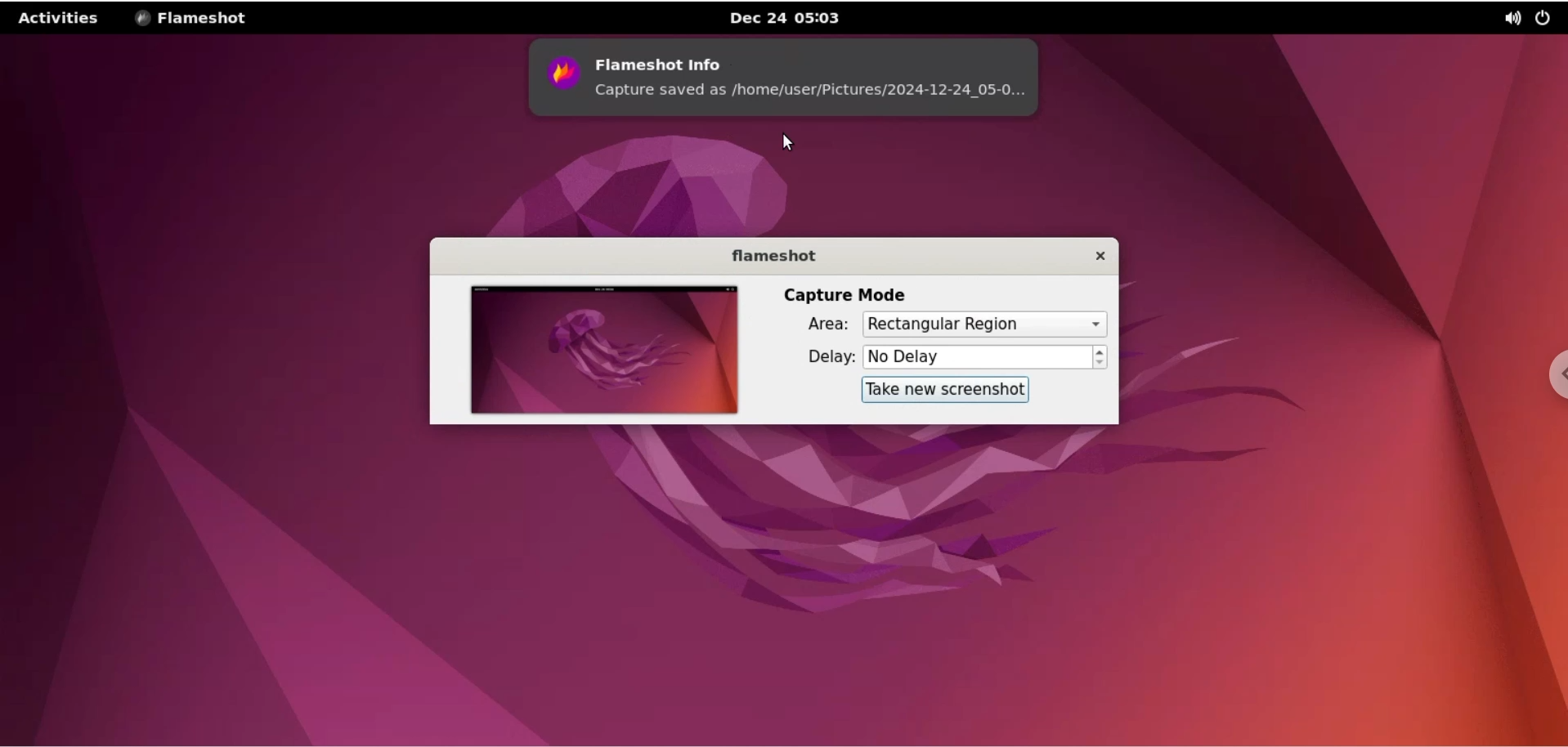  I want to click on flameshot options, so click(195, 17).